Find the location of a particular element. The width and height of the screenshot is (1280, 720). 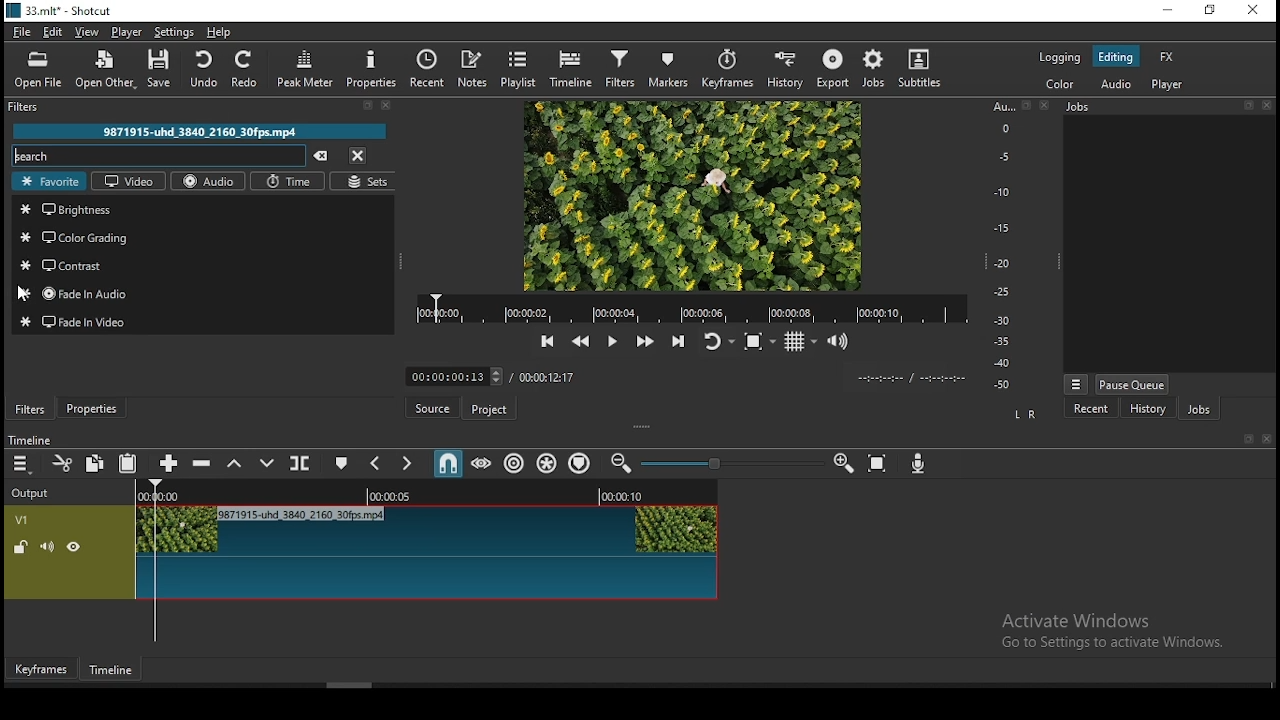

zoom timeine out is located at coordinates (619, 465).